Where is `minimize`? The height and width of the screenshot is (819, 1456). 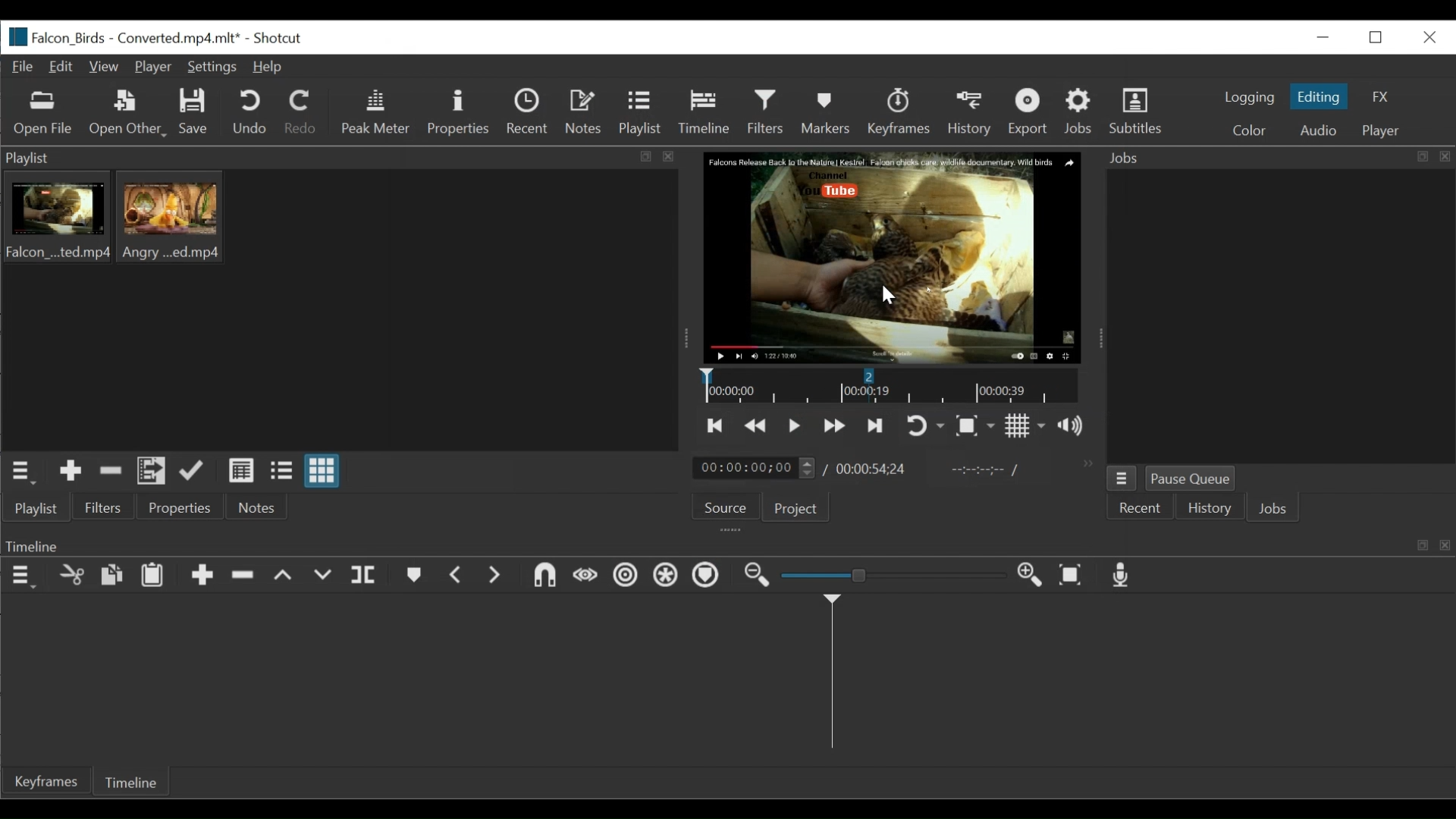
minimize is located at coordinates (1322, 37).